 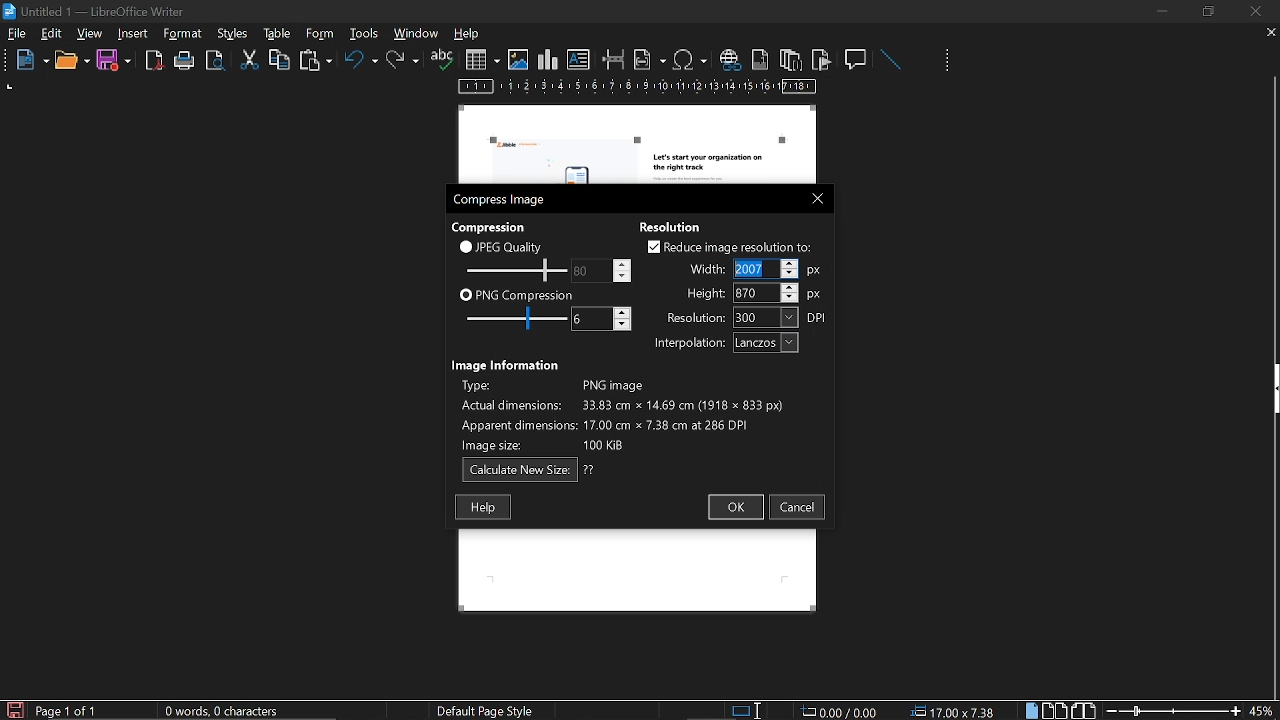 I want to click on ok , so click(x=734, y=508).